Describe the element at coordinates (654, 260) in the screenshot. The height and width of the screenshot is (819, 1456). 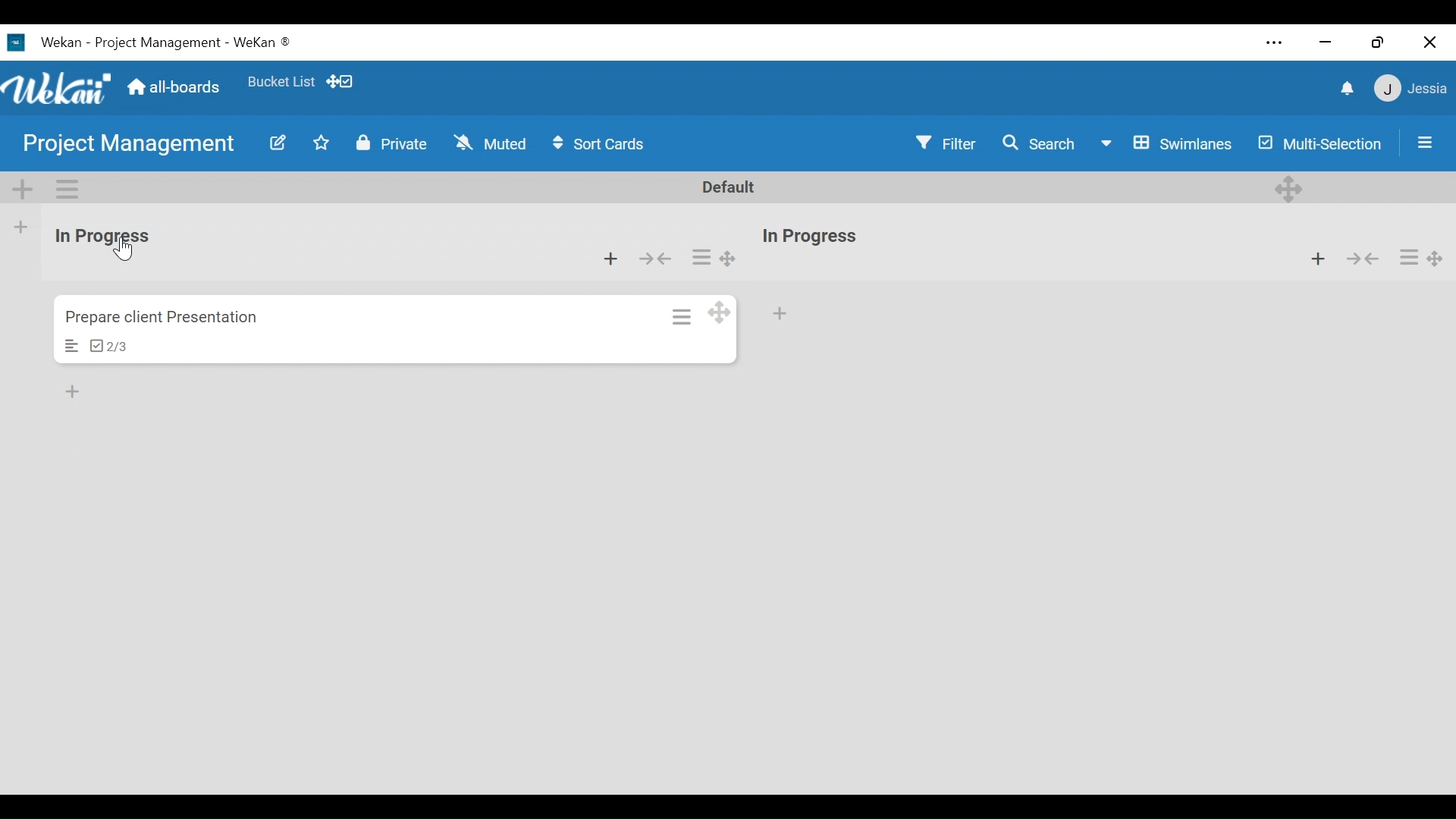
I see `Collapse` at that location.